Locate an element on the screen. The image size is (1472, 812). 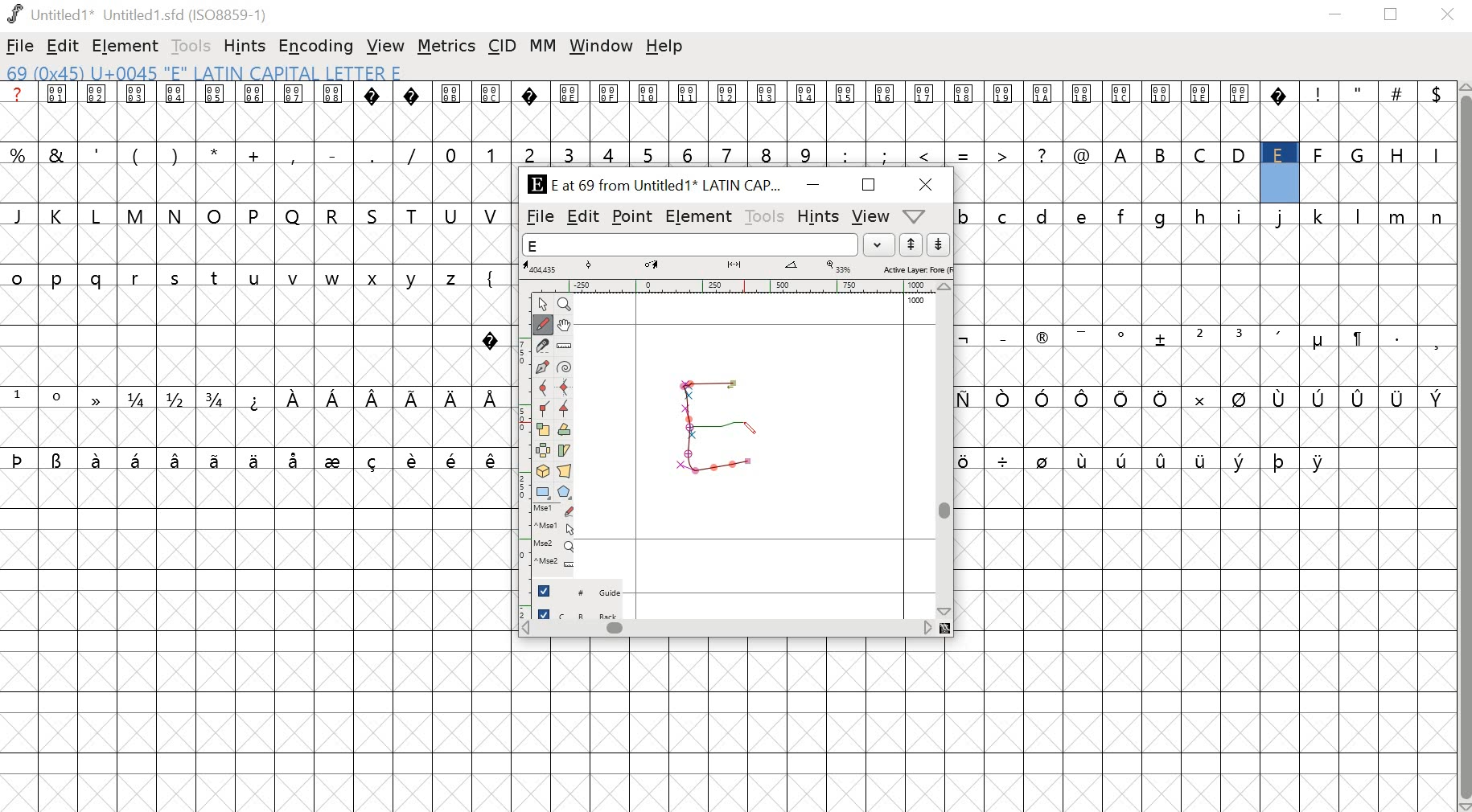
close is located at coordinates (928, 185).